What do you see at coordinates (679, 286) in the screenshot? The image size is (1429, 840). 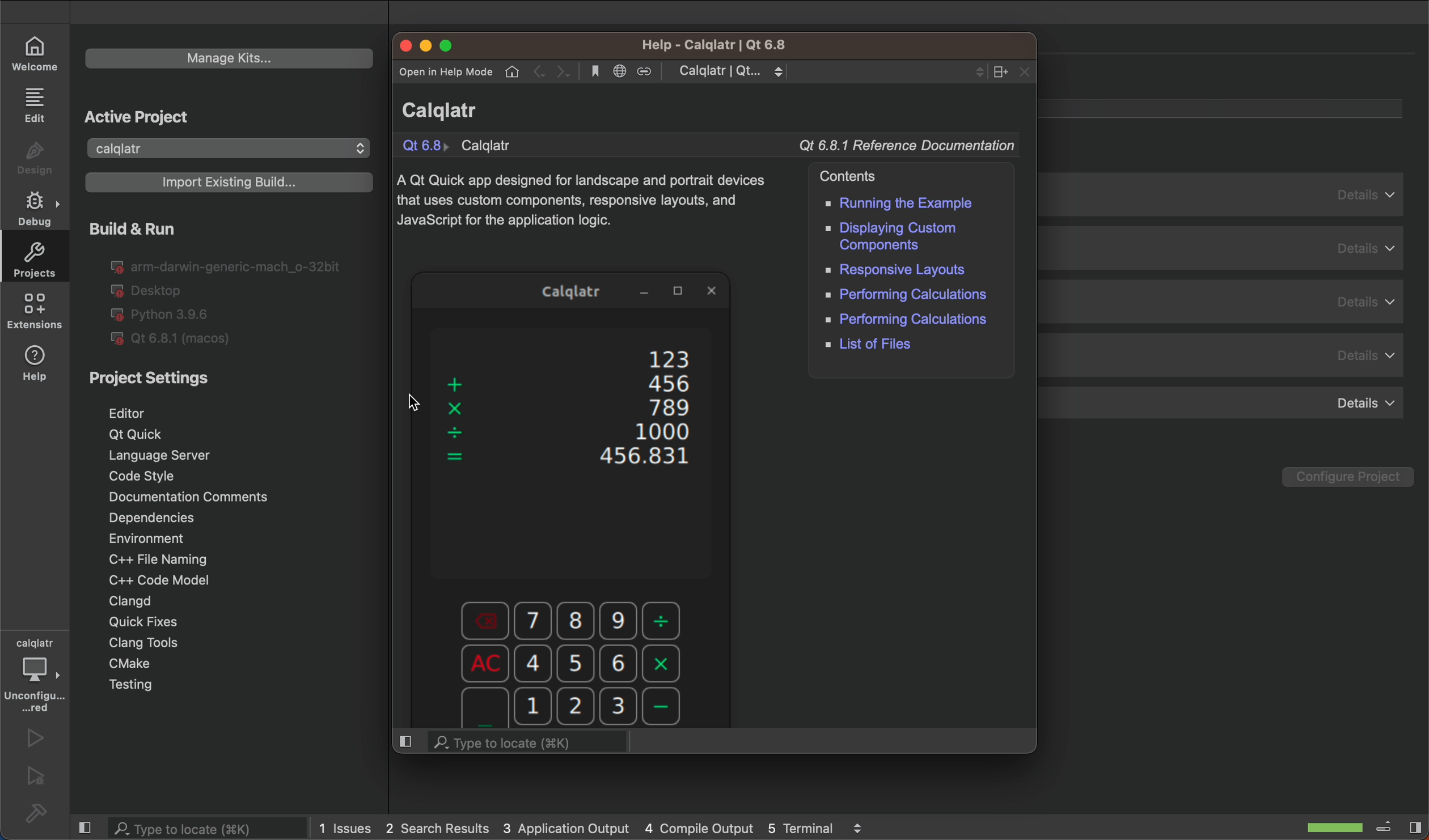 I see `maximize` at bounding box center [679, 286].